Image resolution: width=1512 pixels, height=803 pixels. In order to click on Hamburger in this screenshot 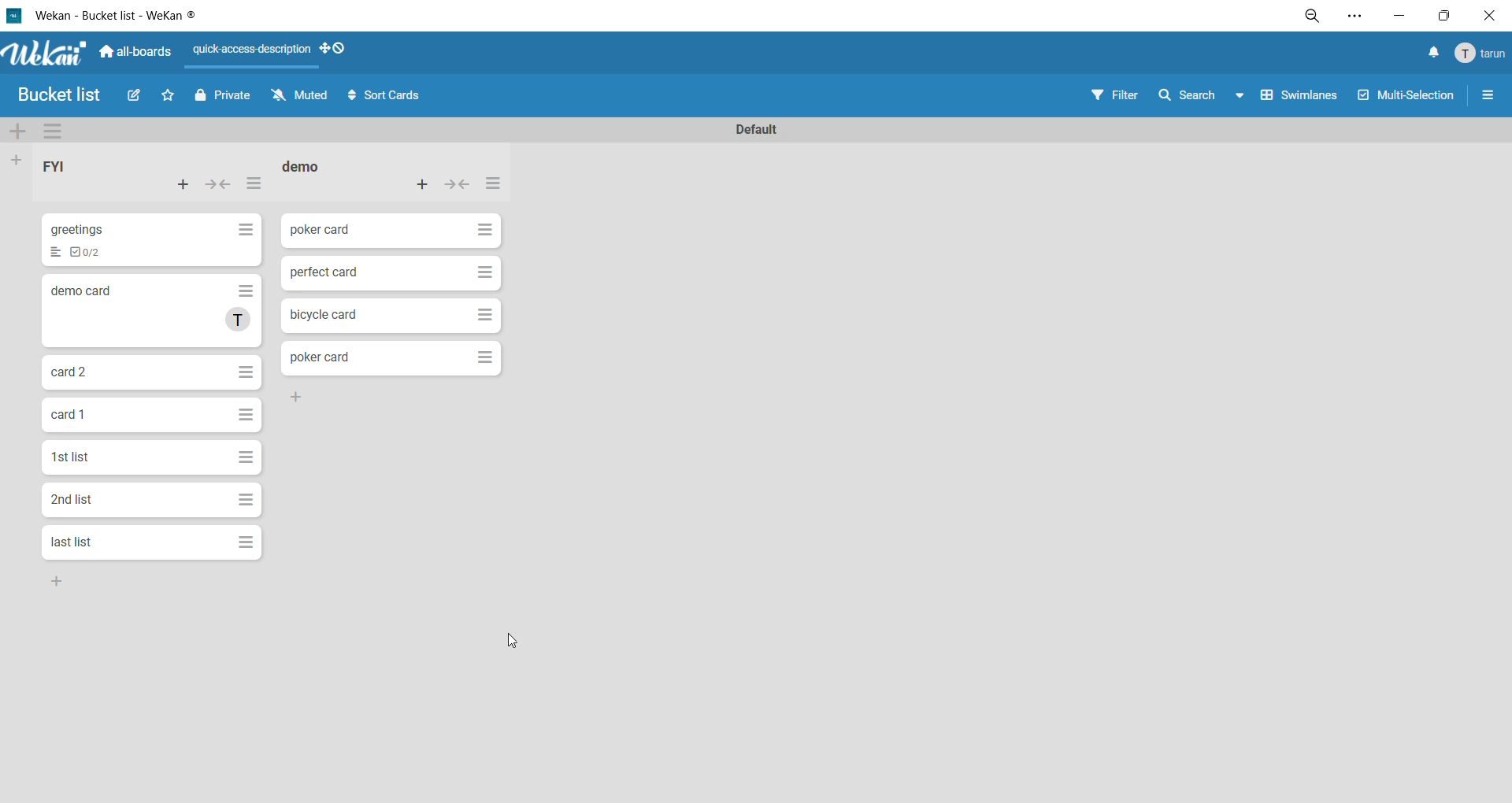, I will do `click(484, 316)`.